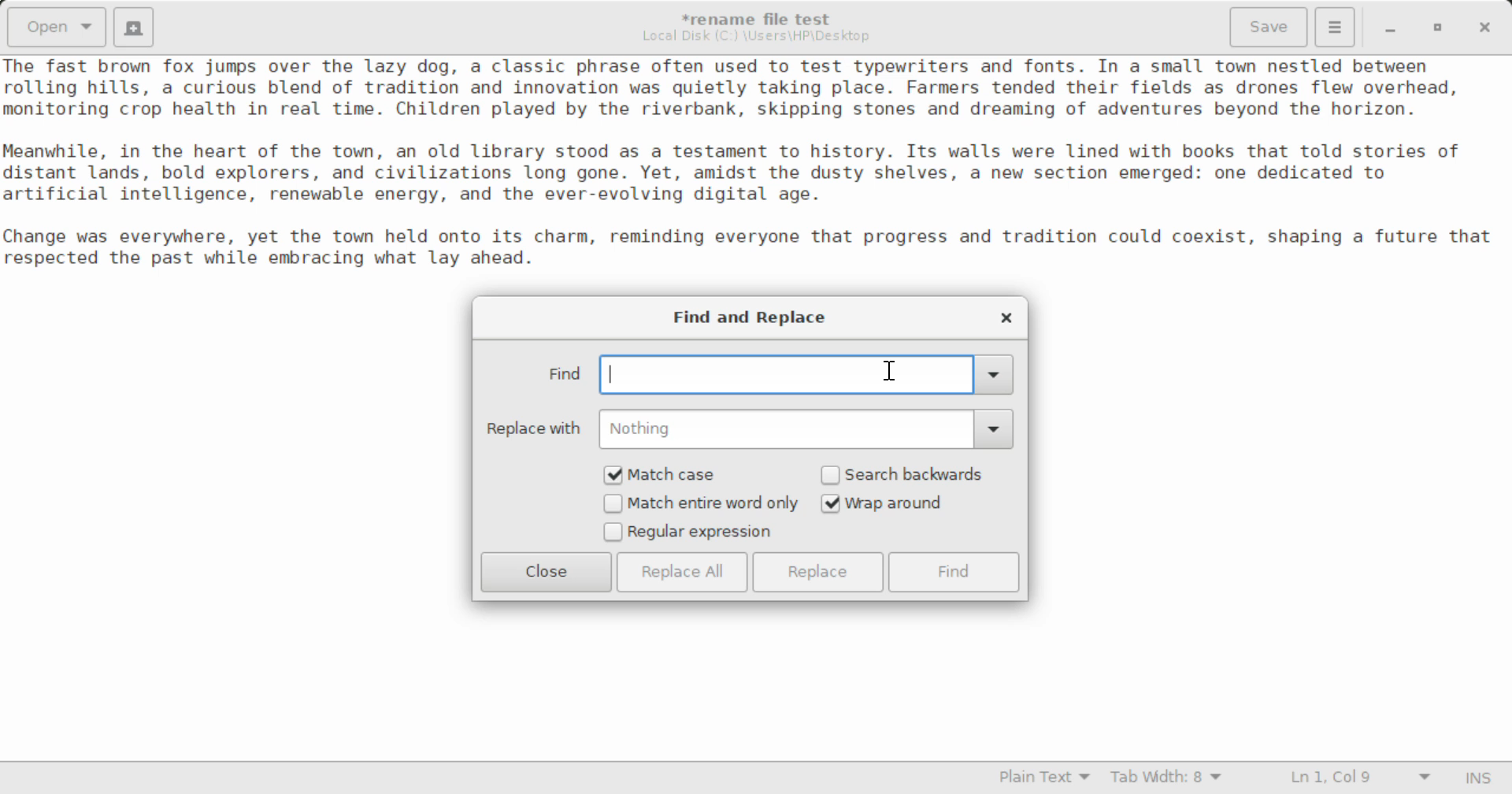 This screenshot has width=1512, height=794. I want to click on Search backwards, so click(907, 474).